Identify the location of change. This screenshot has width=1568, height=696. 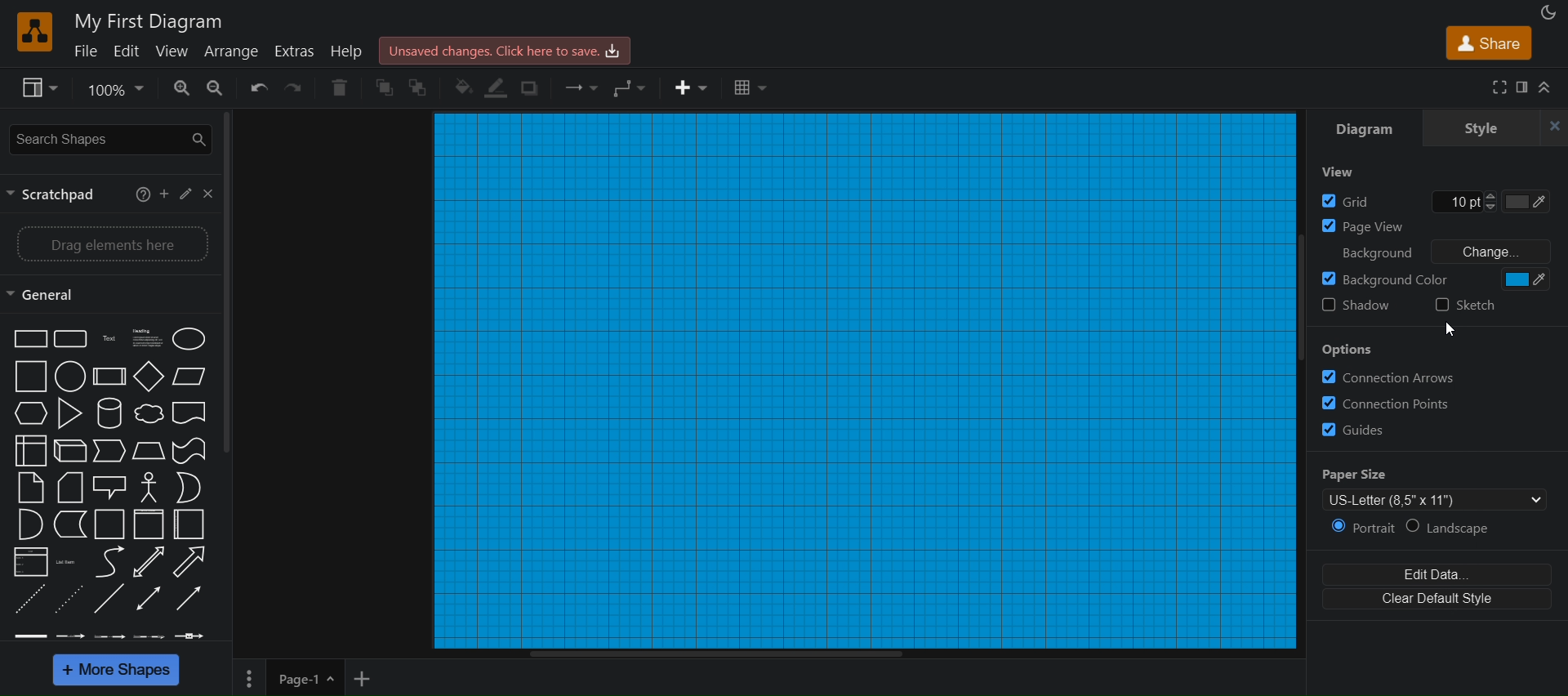
(1489, 250).